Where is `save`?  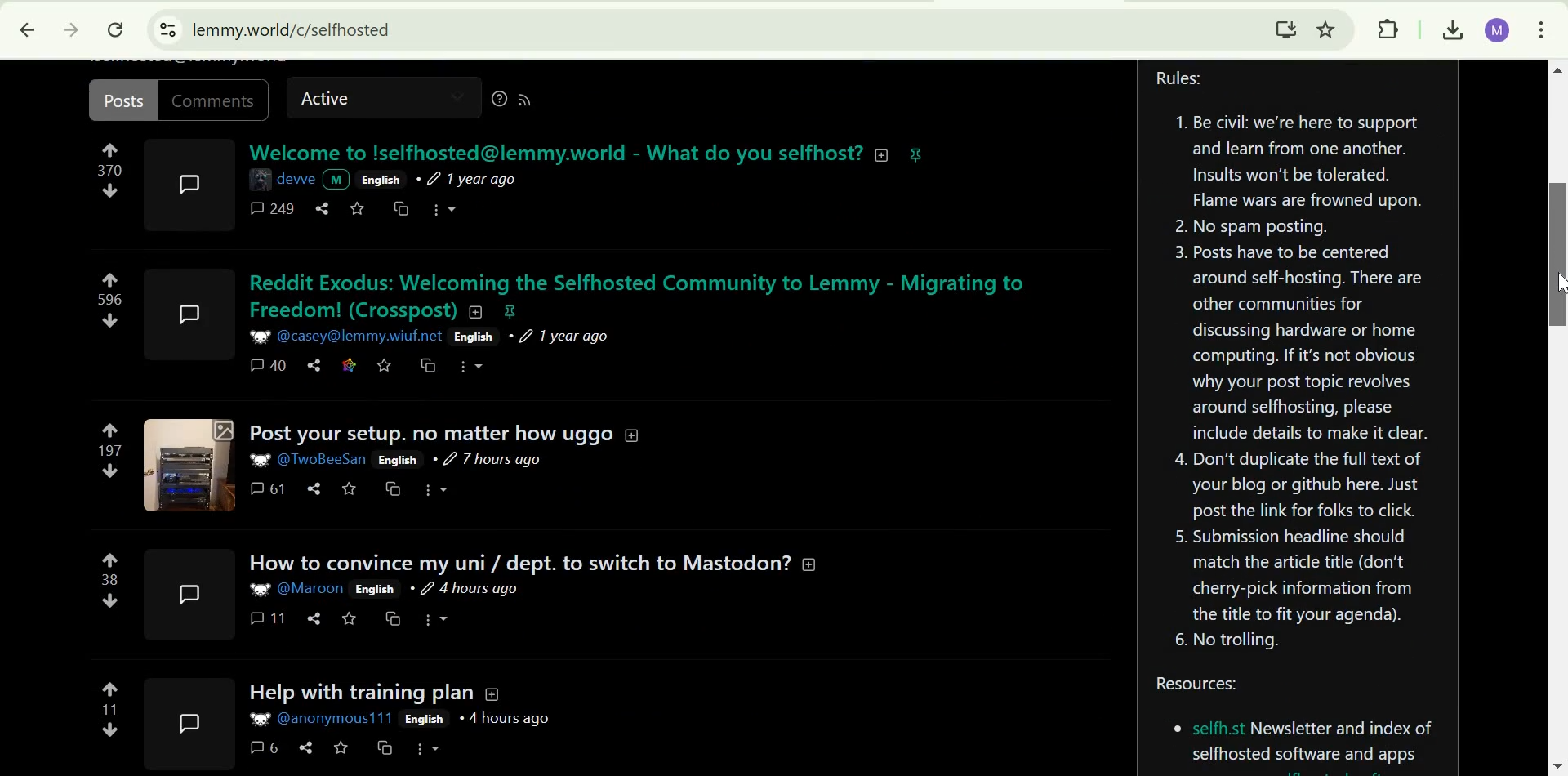
save is located at coordinates (350, 619).